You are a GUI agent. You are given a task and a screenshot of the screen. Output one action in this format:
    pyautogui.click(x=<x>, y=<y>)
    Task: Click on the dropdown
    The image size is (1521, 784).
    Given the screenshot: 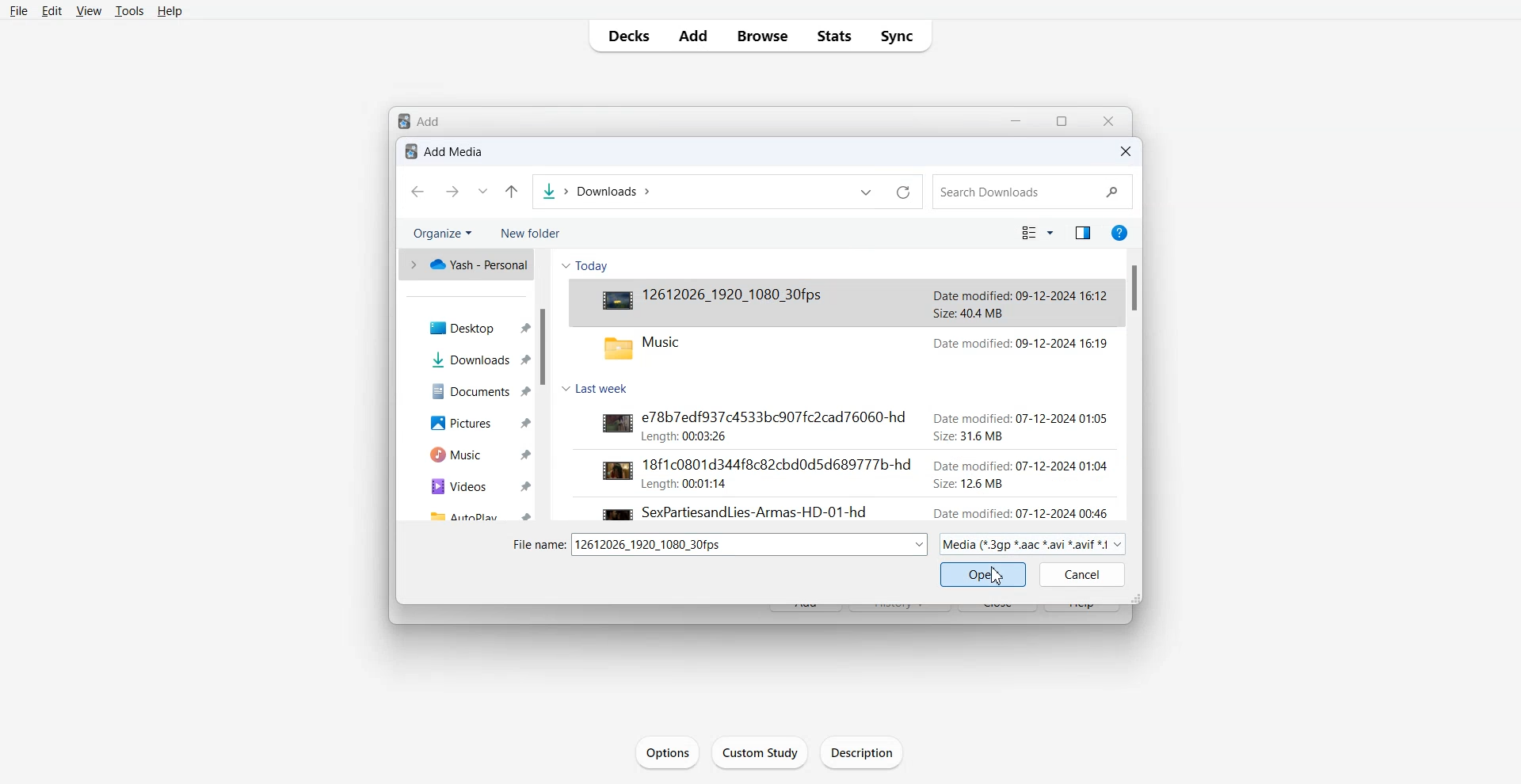 What is the action you would take?
    pyautogui.click(x=752, y=546)
    